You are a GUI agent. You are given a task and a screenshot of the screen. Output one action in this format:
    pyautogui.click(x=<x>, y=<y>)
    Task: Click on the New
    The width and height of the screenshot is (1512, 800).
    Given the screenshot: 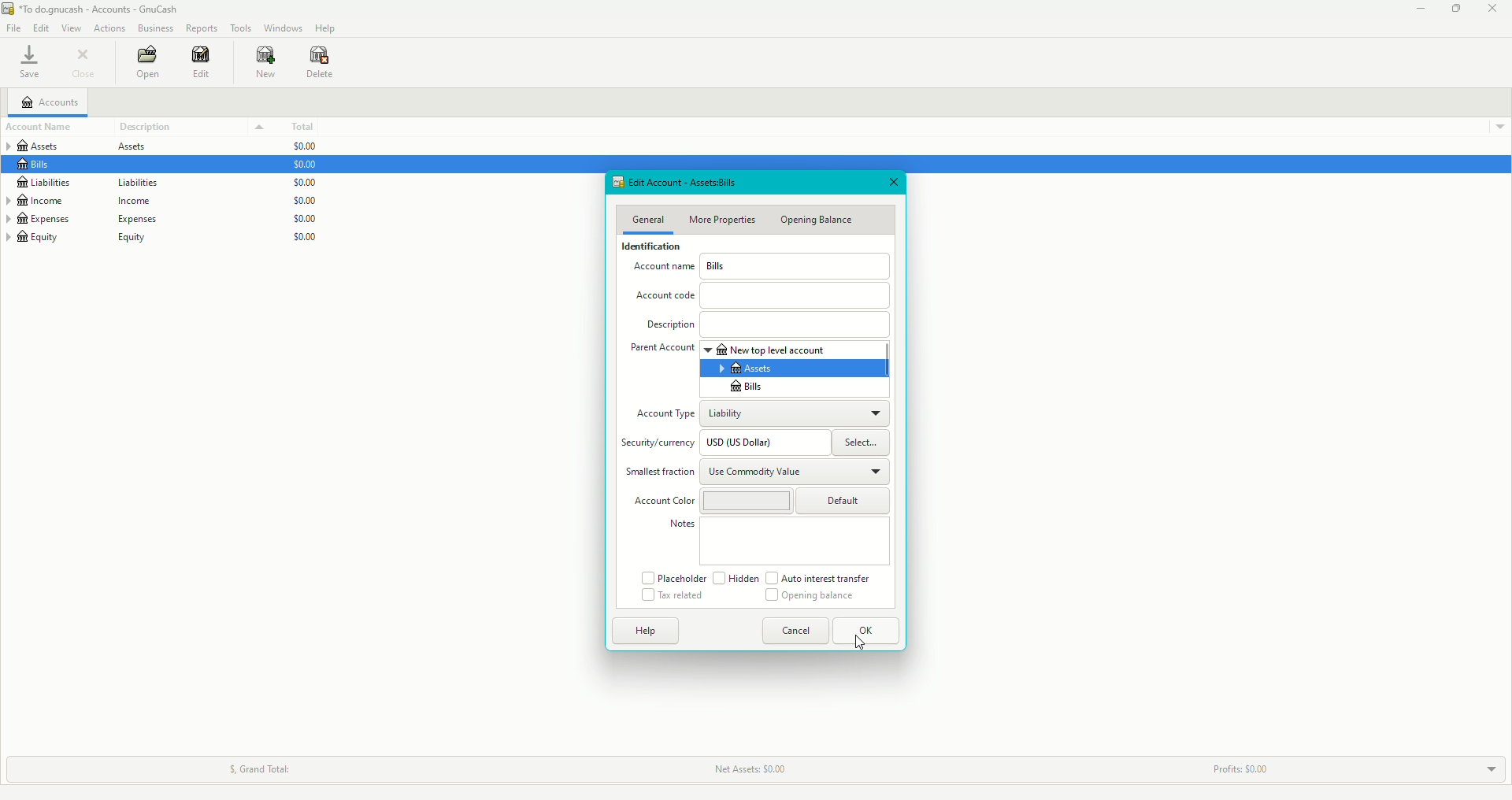 What is the action you would take?
    pyautogui.click(x=266, y=63)
    